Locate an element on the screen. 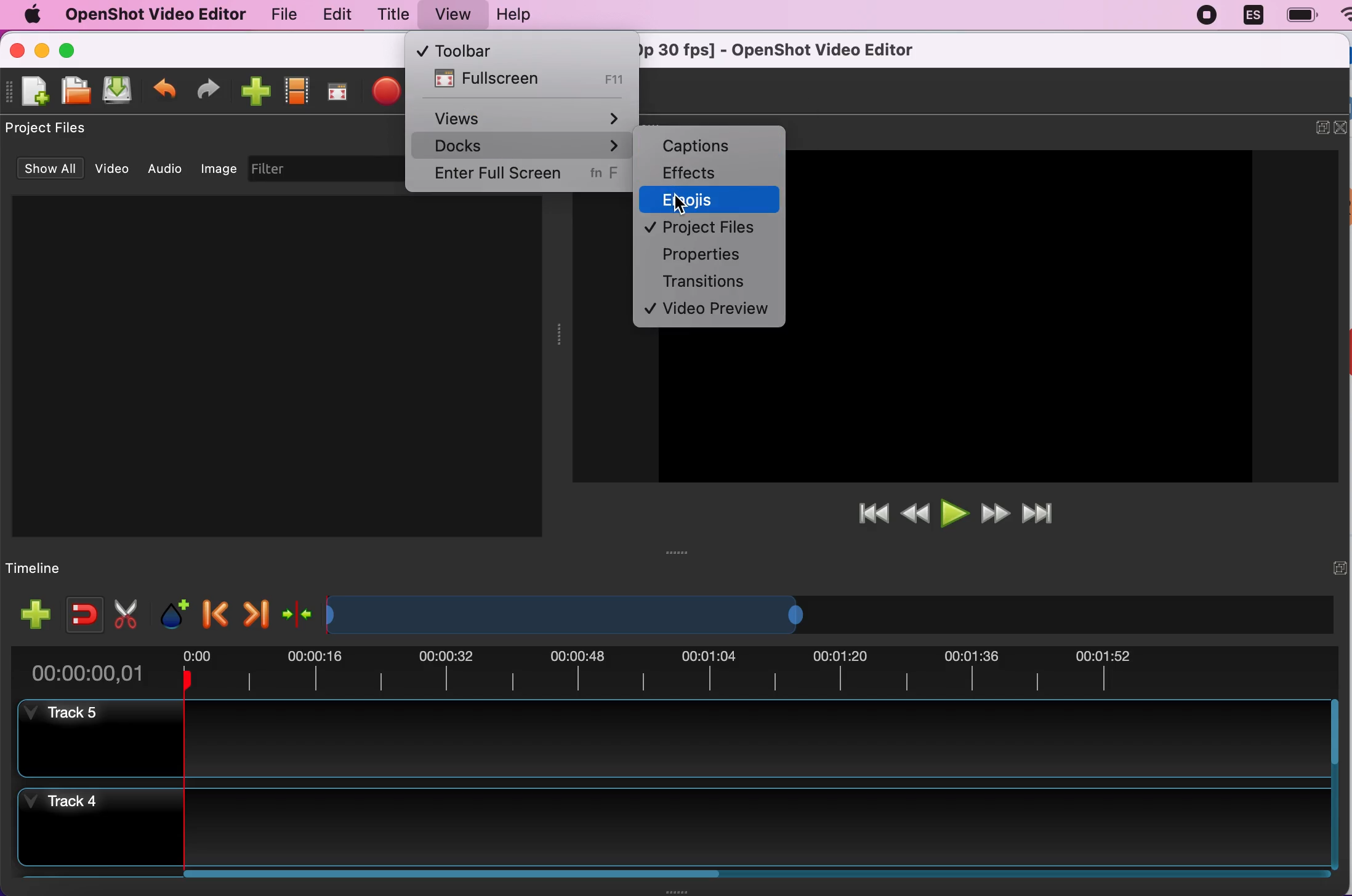  redo is located at coordinates (209, 89).